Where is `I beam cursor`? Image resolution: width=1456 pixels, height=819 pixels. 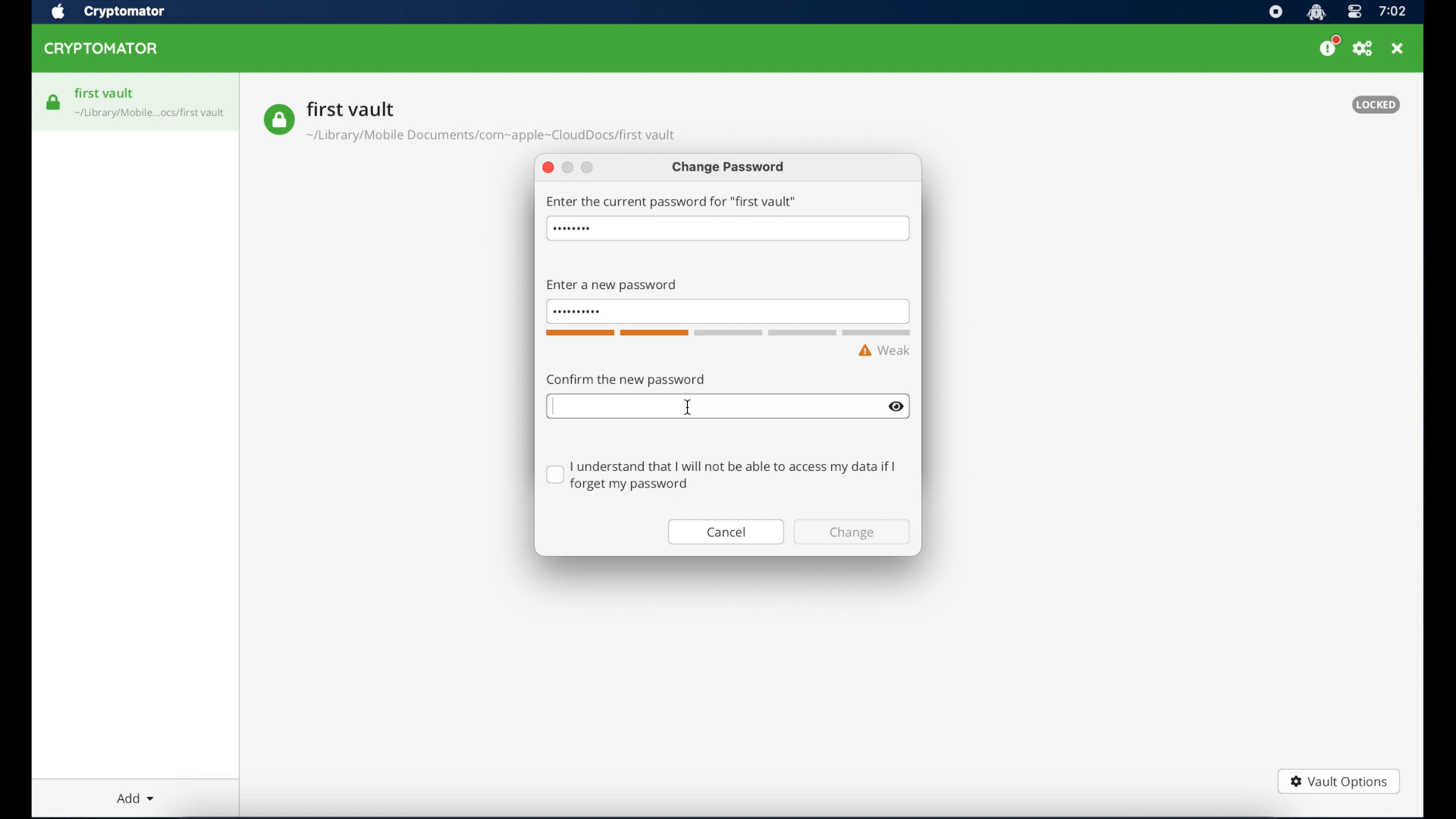
I beam cursor is located at coordinates (689, 407).